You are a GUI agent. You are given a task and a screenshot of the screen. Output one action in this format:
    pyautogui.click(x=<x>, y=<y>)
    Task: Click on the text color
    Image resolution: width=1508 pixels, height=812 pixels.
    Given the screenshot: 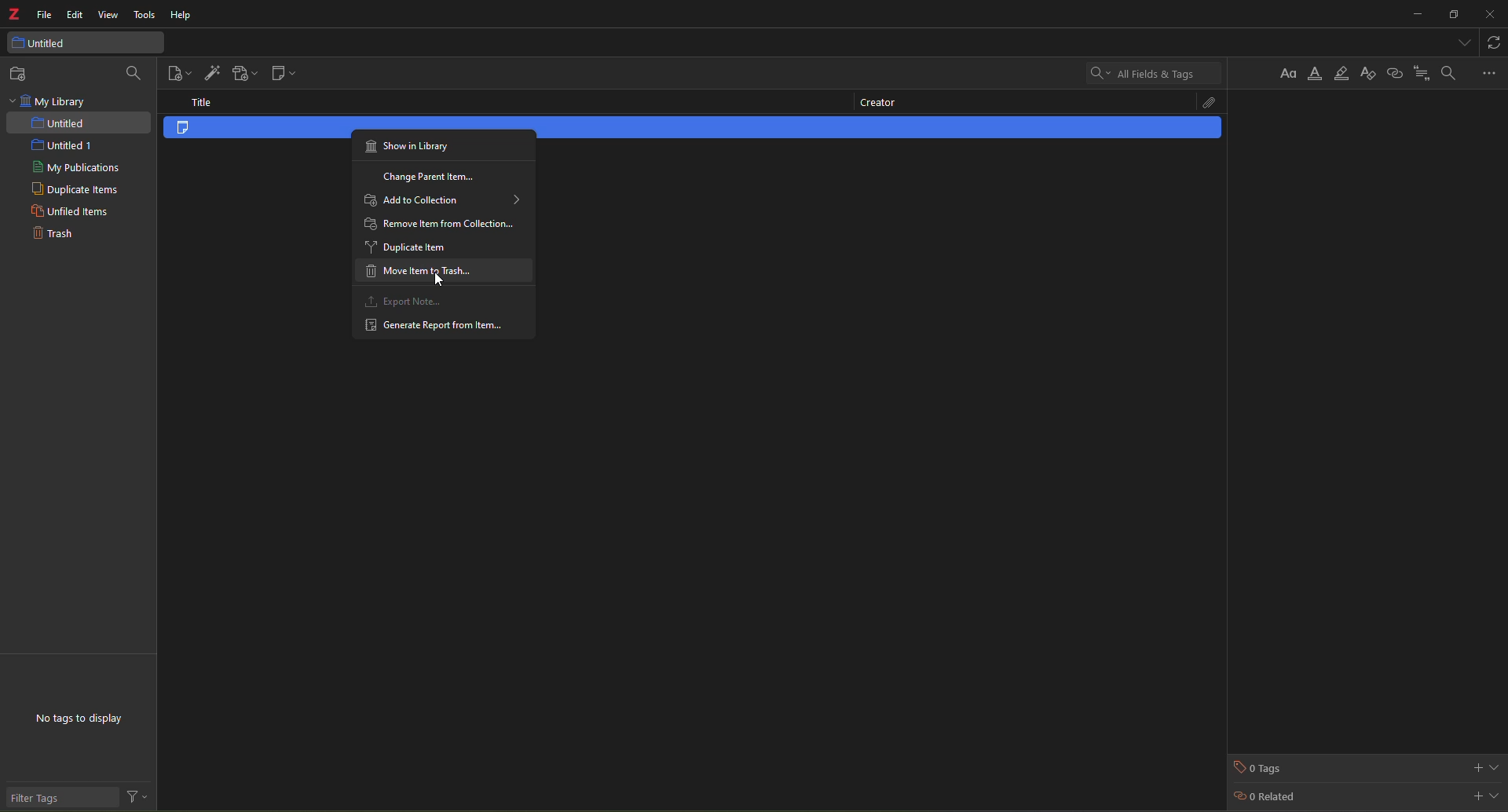 What is the action you would take?
    pyautogui.click(x=1316, y=75)
    